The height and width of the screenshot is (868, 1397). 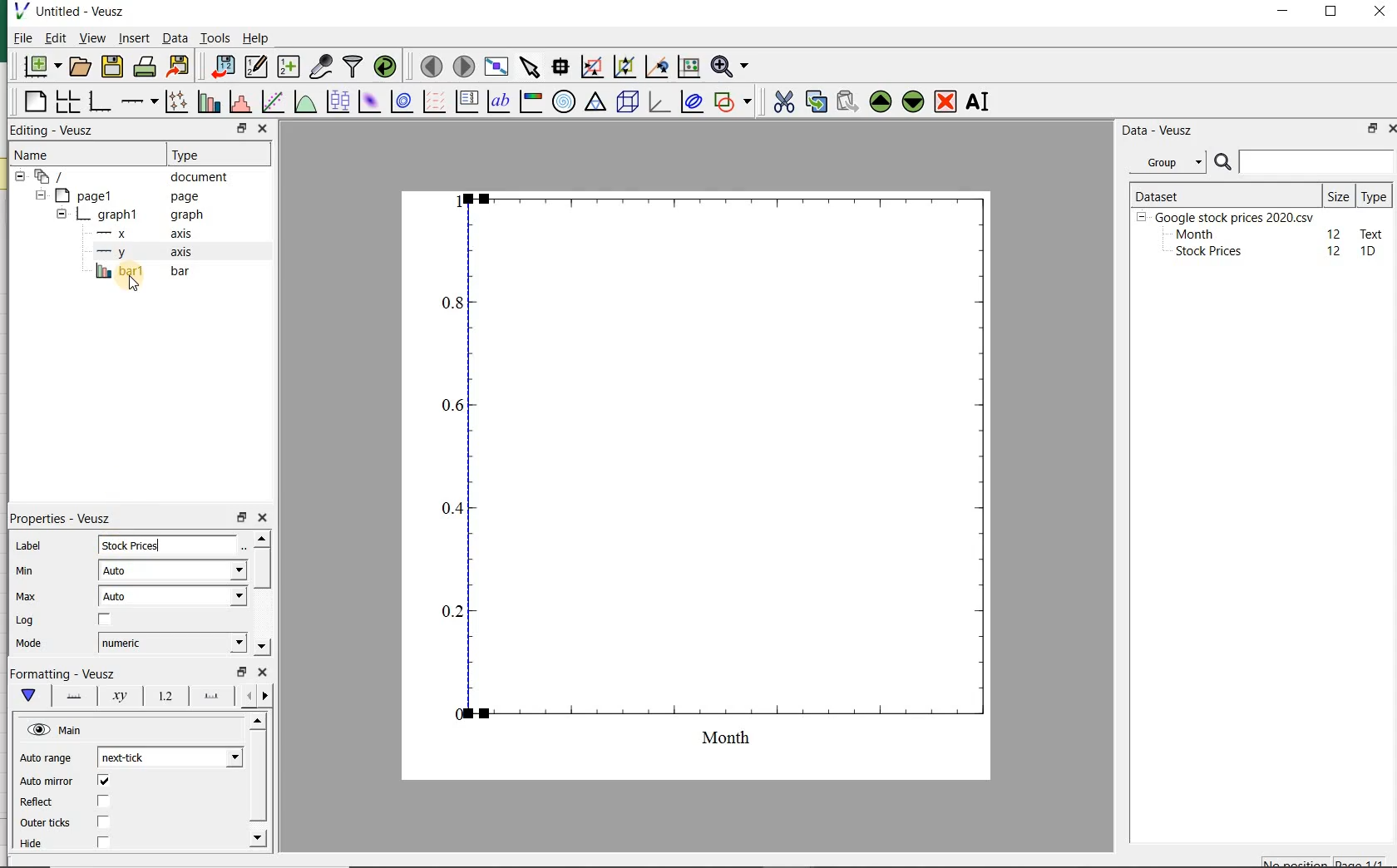 I want to click on Min, so click(x=27, y=572).